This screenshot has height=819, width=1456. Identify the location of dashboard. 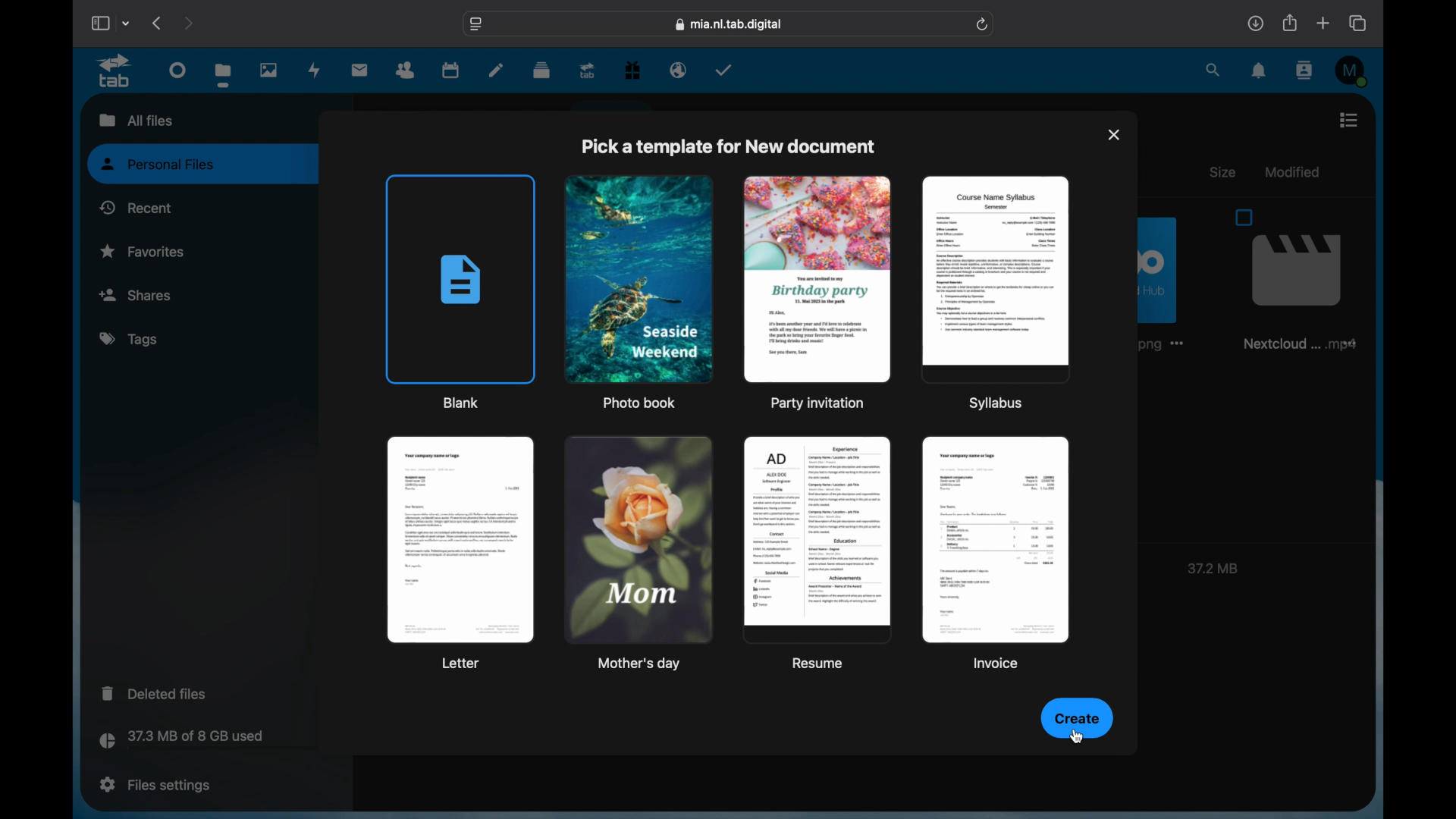
(179, 69).